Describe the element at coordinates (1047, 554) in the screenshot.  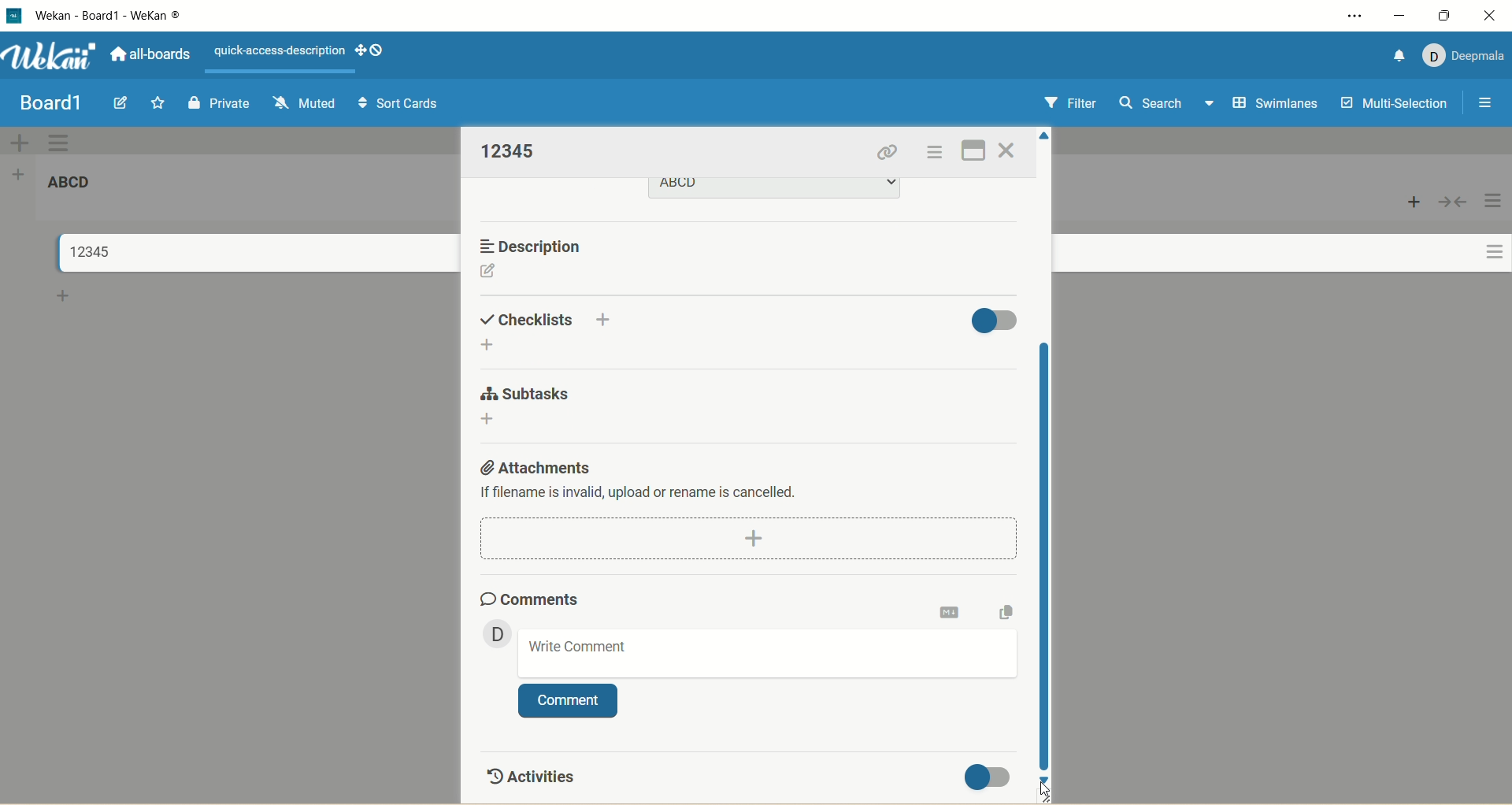
I see `vertical scroll bar` at that location.